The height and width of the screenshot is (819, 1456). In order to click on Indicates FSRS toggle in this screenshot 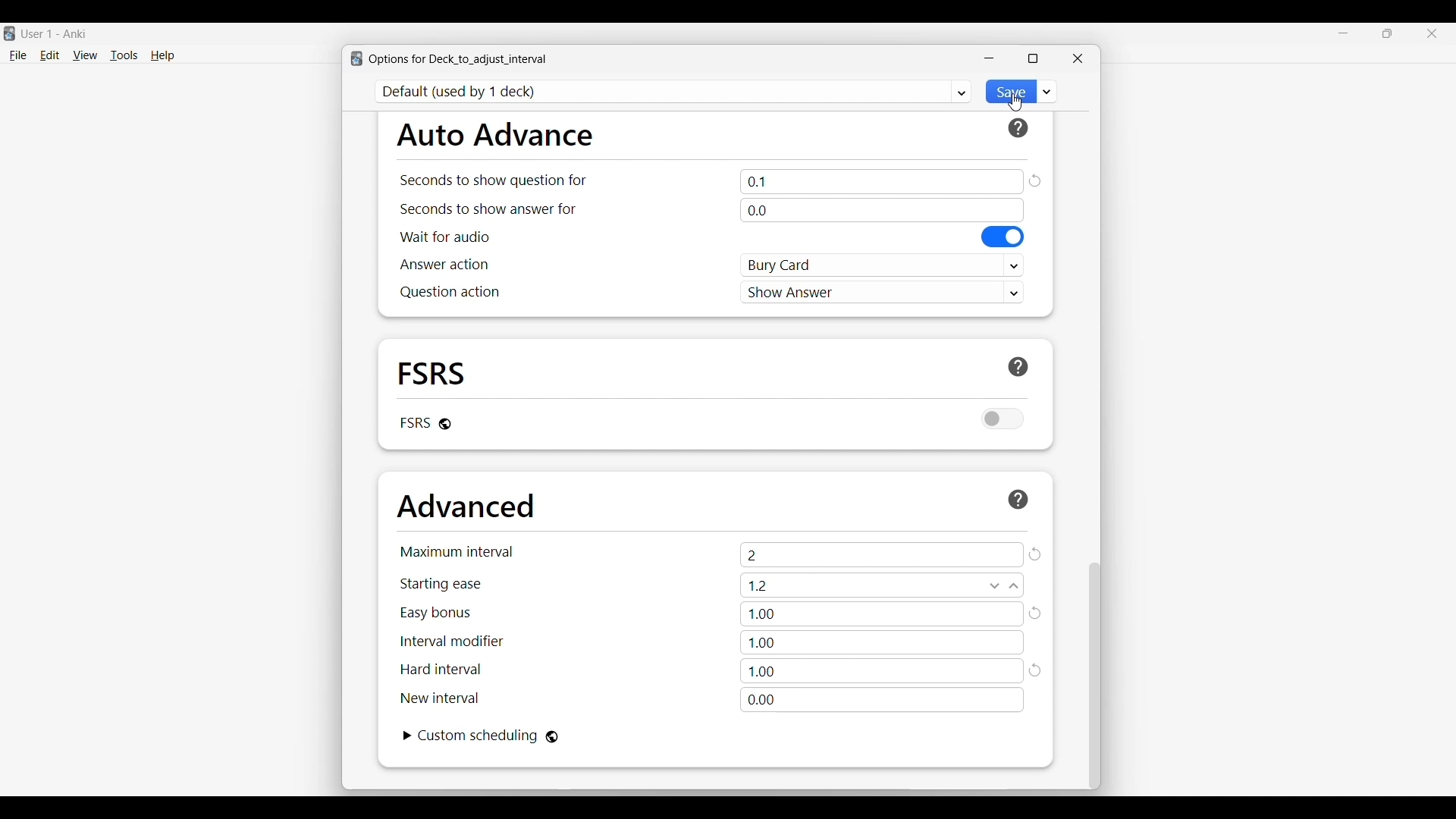, I will do `click(414, 422)`.